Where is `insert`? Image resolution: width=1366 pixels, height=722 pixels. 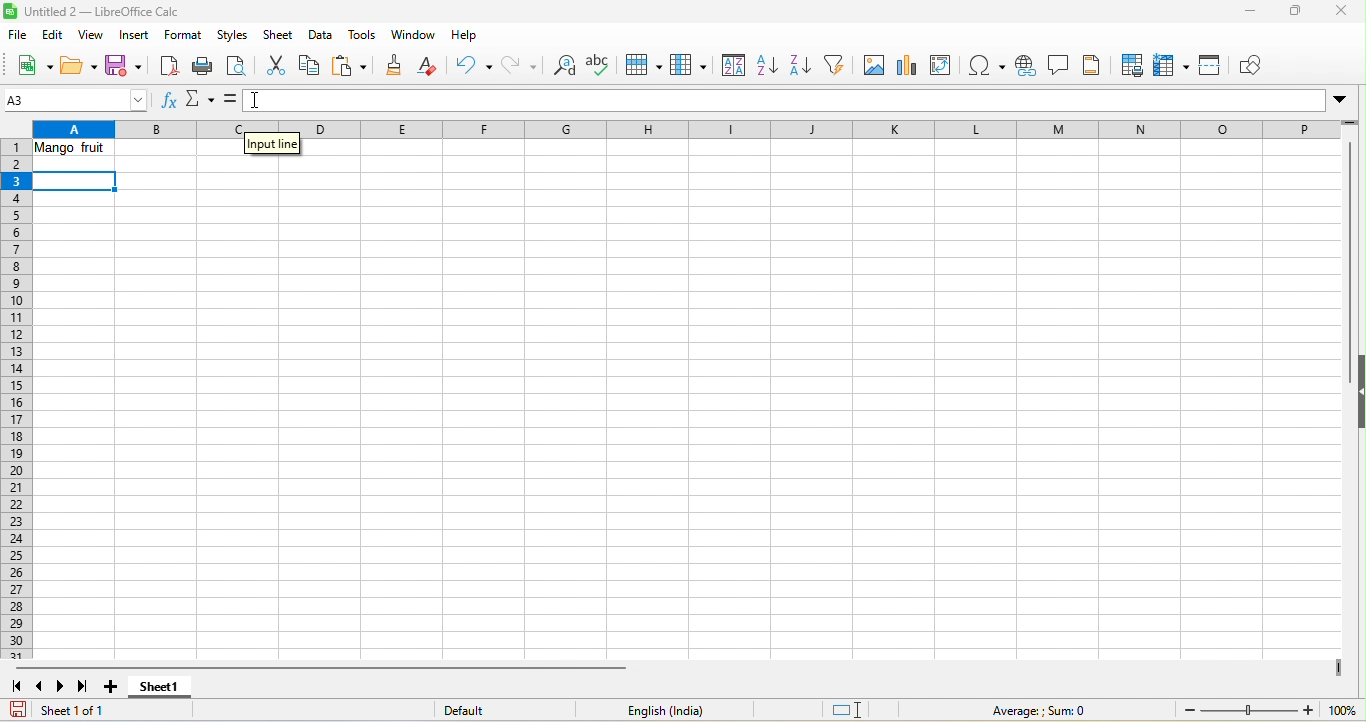 insert is located at coordinates (135, 36).